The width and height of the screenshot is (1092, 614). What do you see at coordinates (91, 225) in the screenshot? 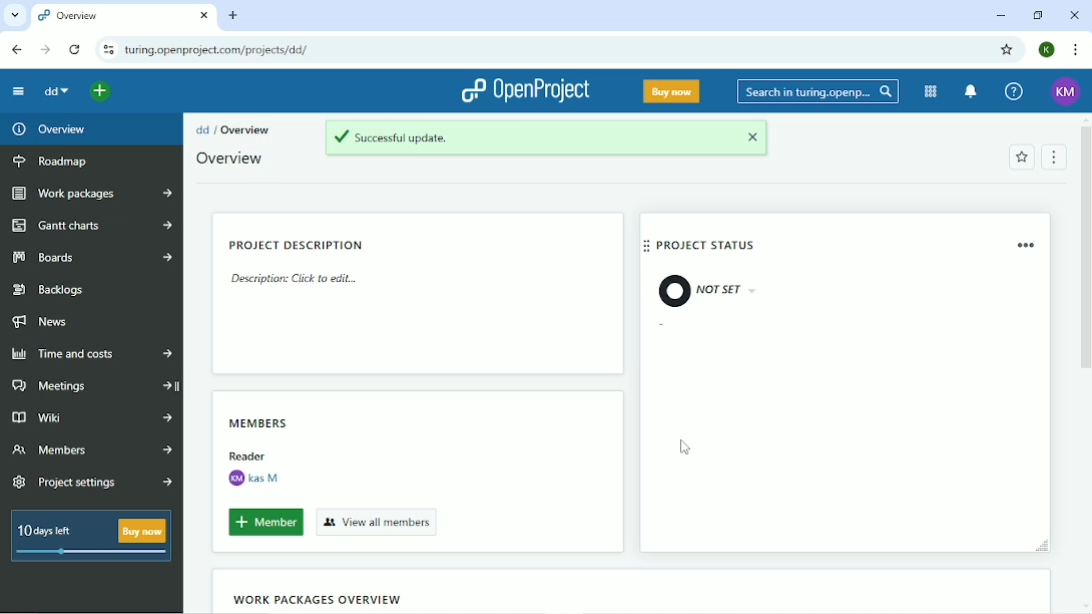
I see `Gantt charts` at bounding box center [91, 225].